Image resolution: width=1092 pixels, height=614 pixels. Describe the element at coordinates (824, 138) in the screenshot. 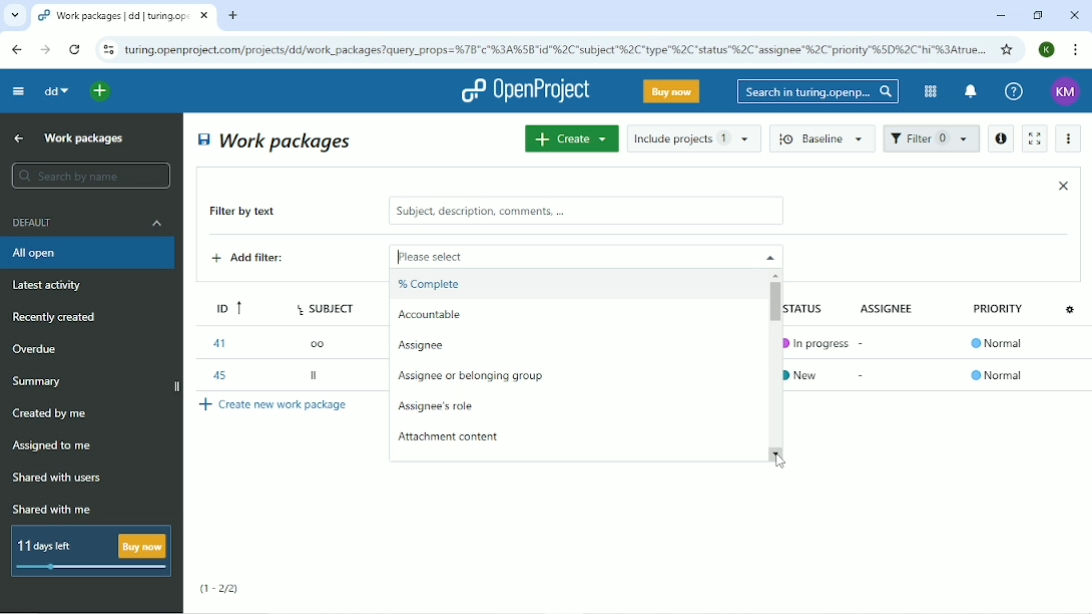

I see `Baseline` at that location.